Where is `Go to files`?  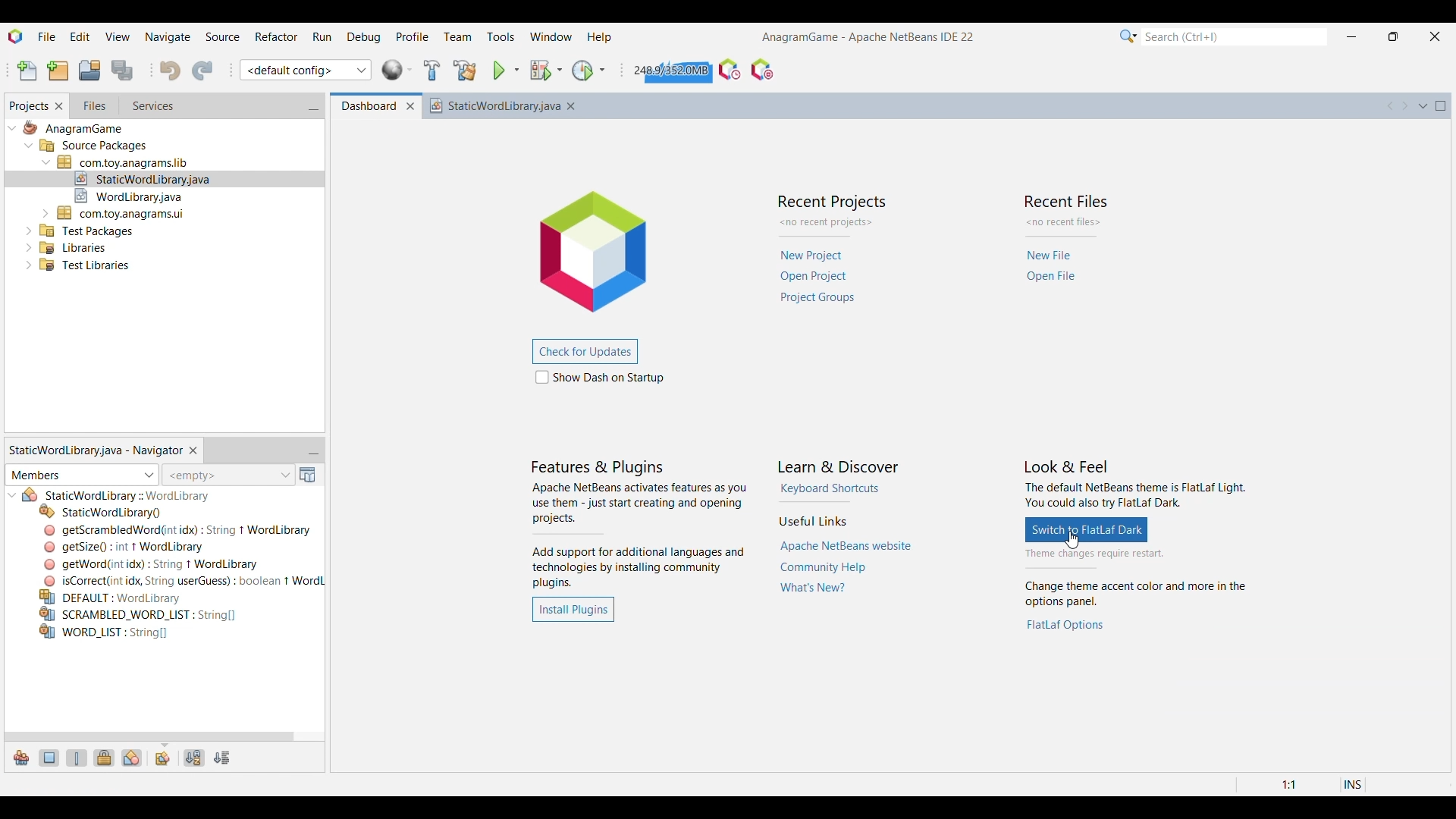 Go to files is located at coordinates (93, 105).